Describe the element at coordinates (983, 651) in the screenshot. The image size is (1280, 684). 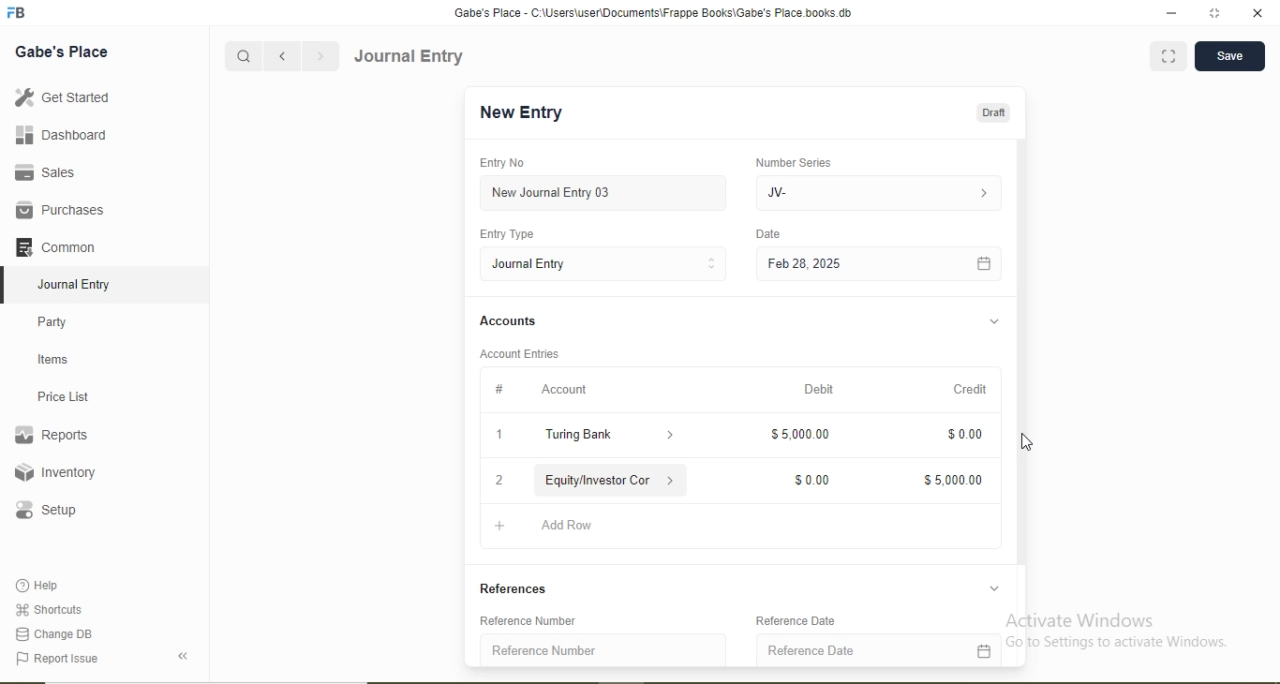
I see `Calendar` at that location.